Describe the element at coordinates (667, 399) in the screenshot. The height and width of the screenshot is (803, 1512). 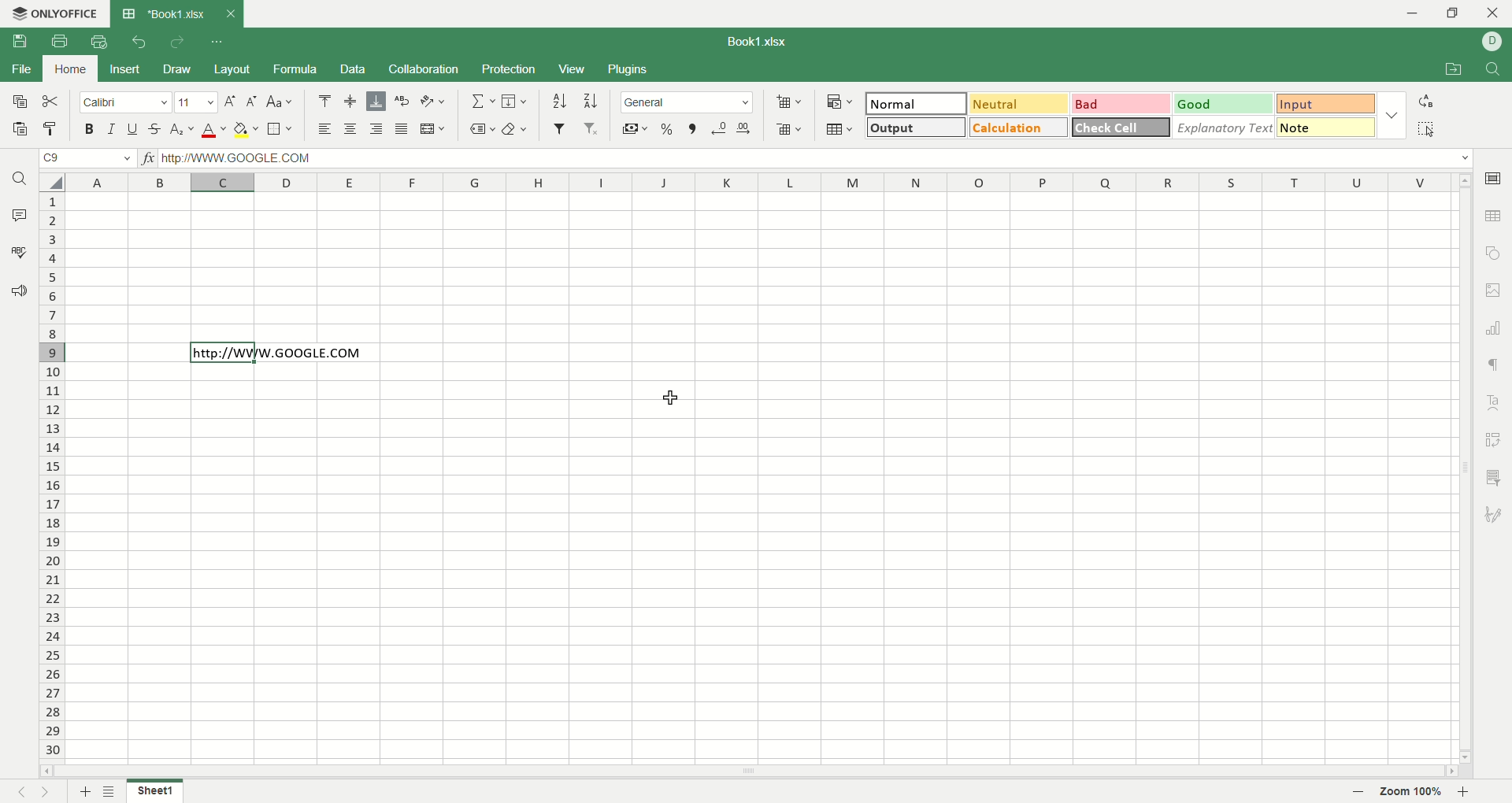
I see `cursor` at that location.